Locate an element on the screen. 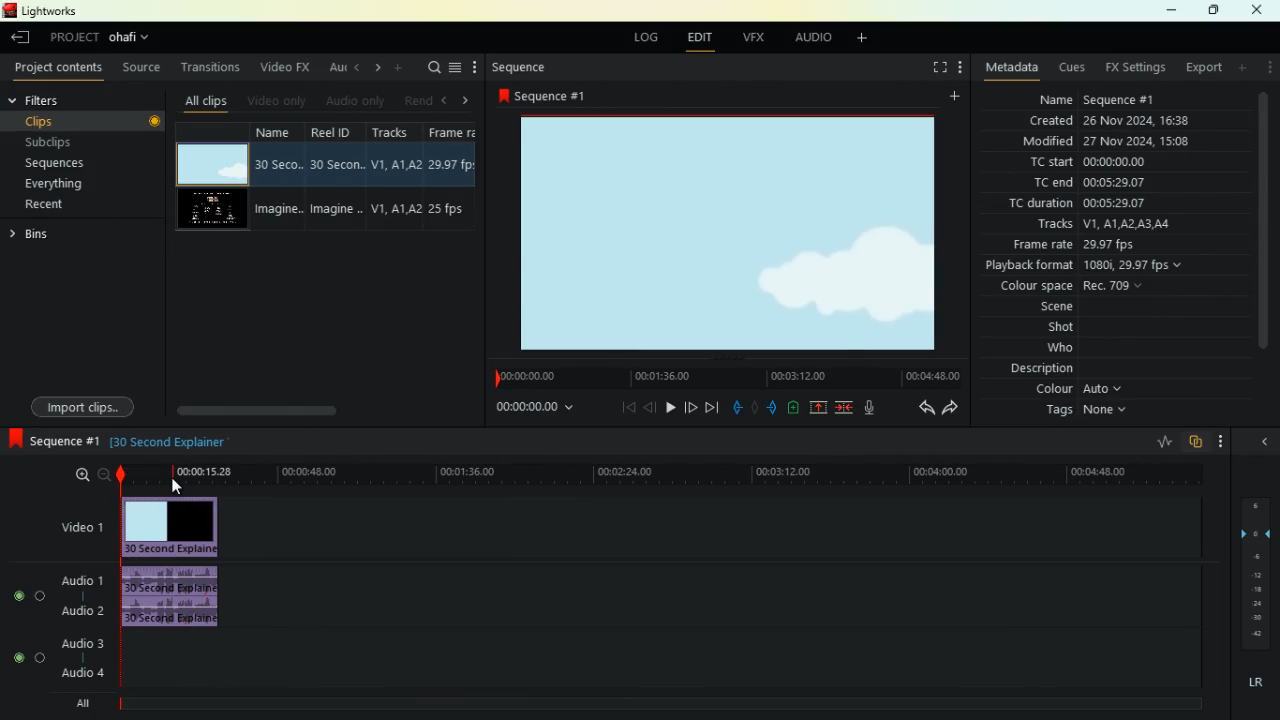 The height and width of the screenshot is (720, 1280). modified is located at coordinates (1051, 140).